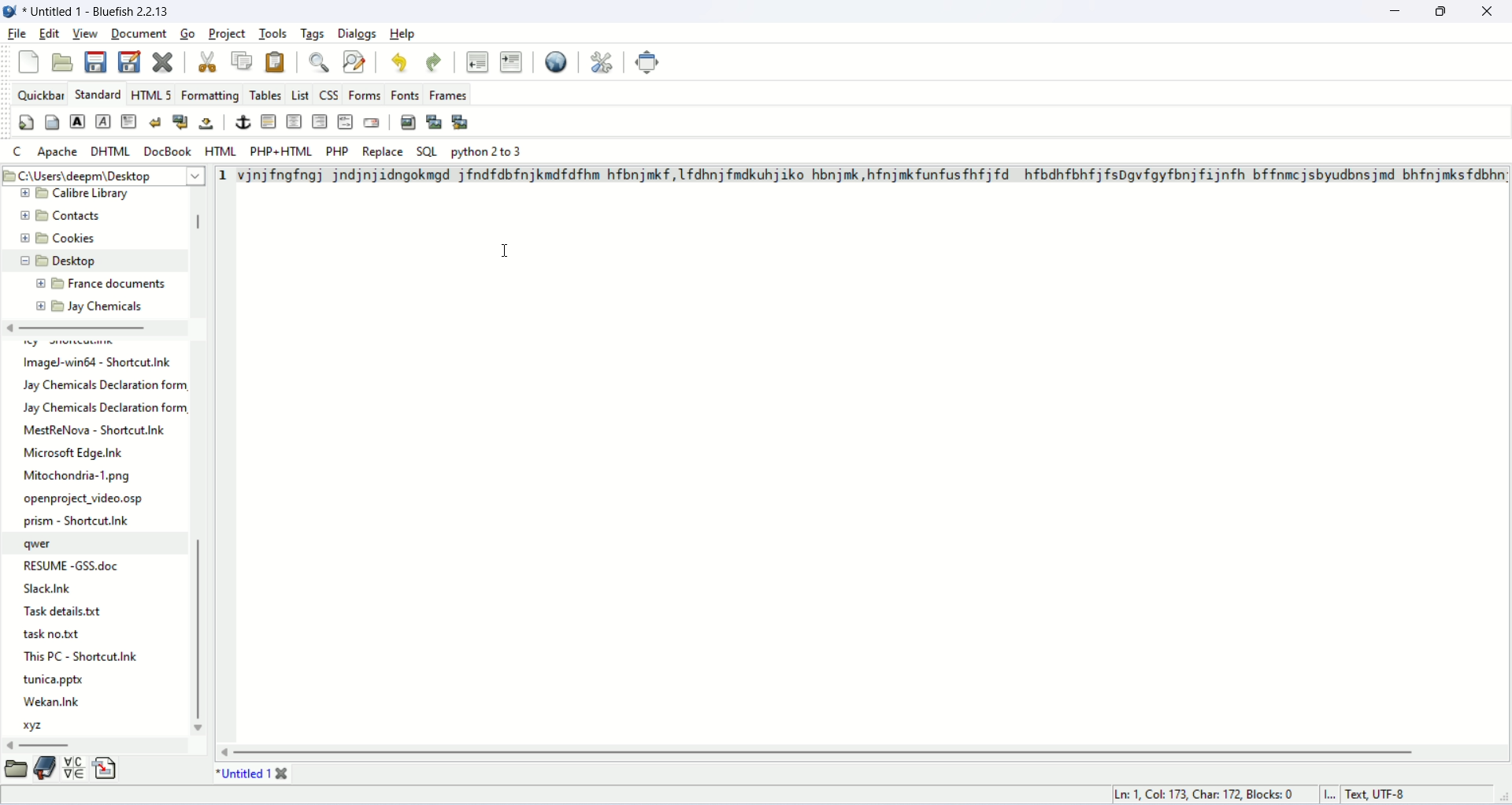  I want to click on redo, so click(434, 60).